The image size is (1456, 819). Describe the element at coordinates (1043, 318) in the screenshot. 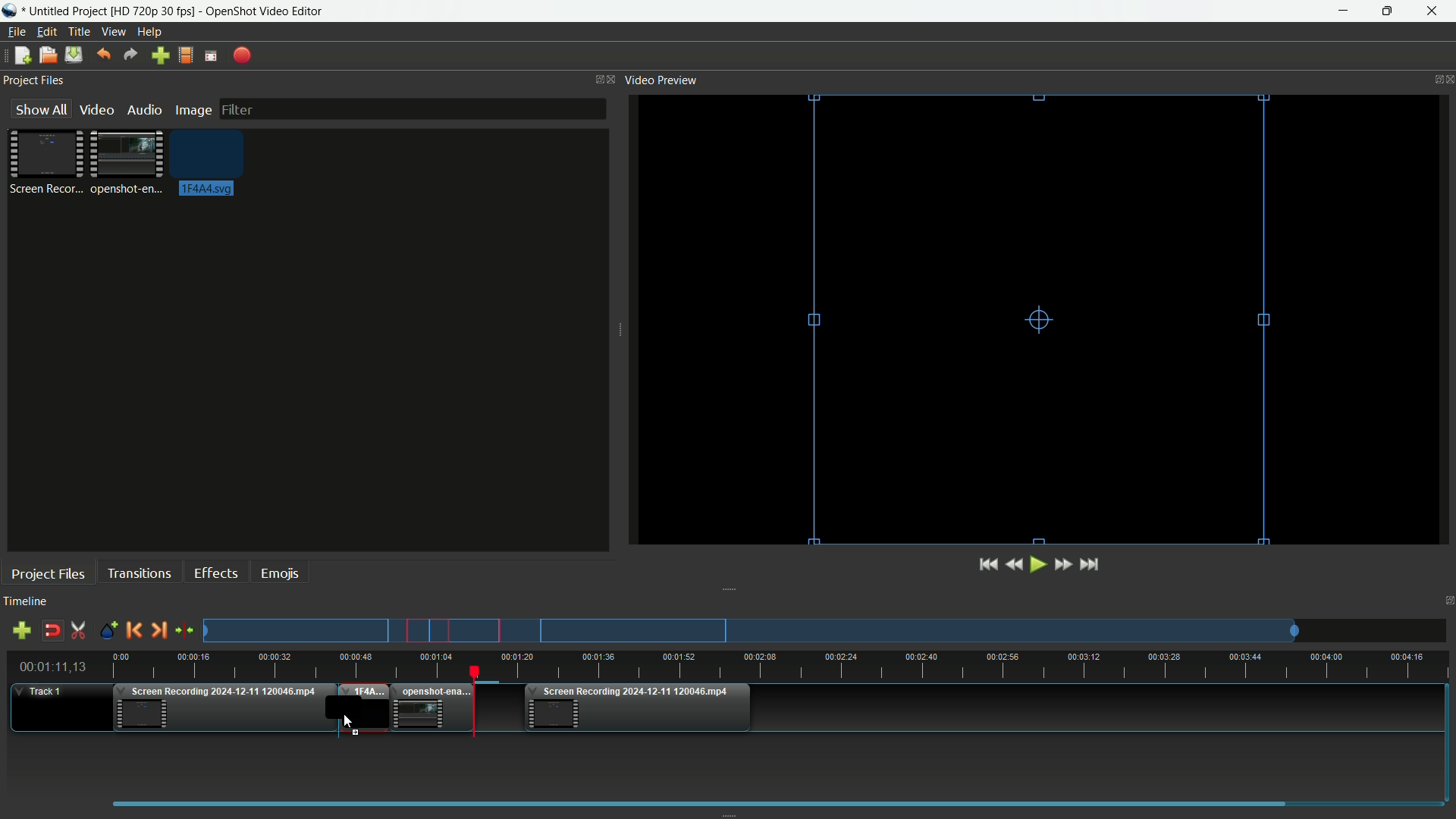

I see `video preview` at that location.